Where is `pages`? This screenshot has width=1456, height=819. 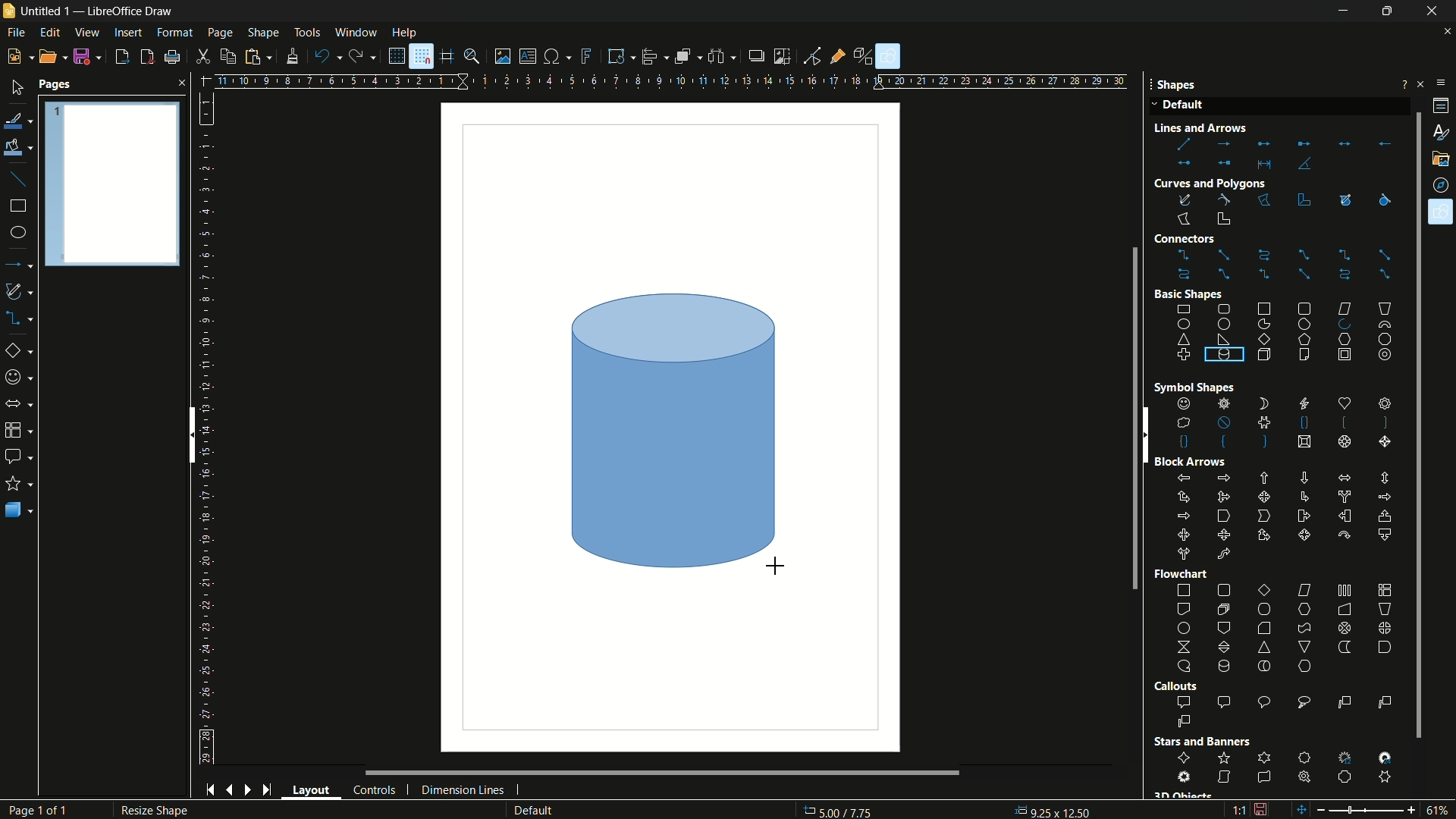
pages is located at coordinates (55, 85).